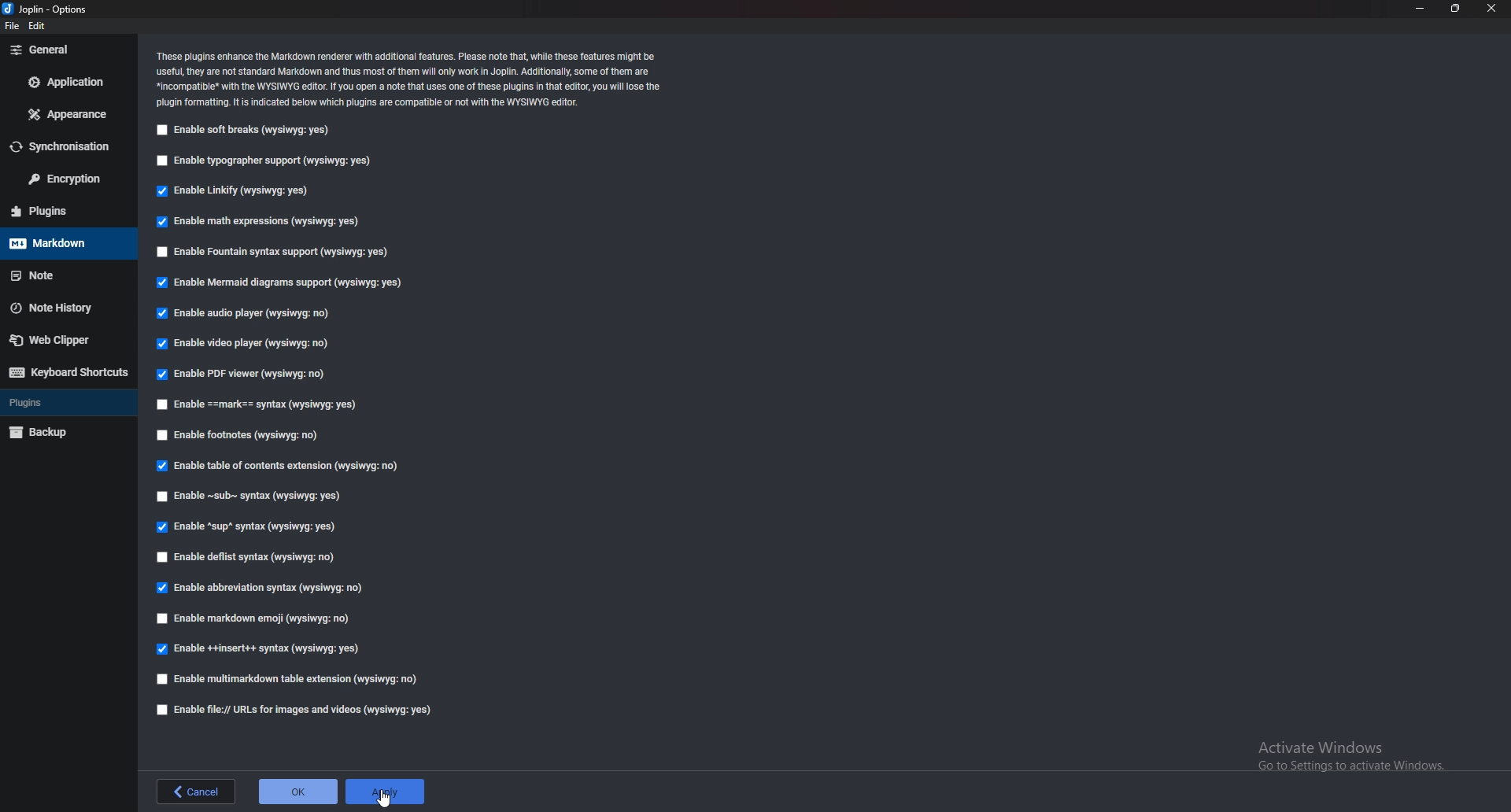 The image size is (1511, 812). I want to click on Enable audio player, so click(247, 313).